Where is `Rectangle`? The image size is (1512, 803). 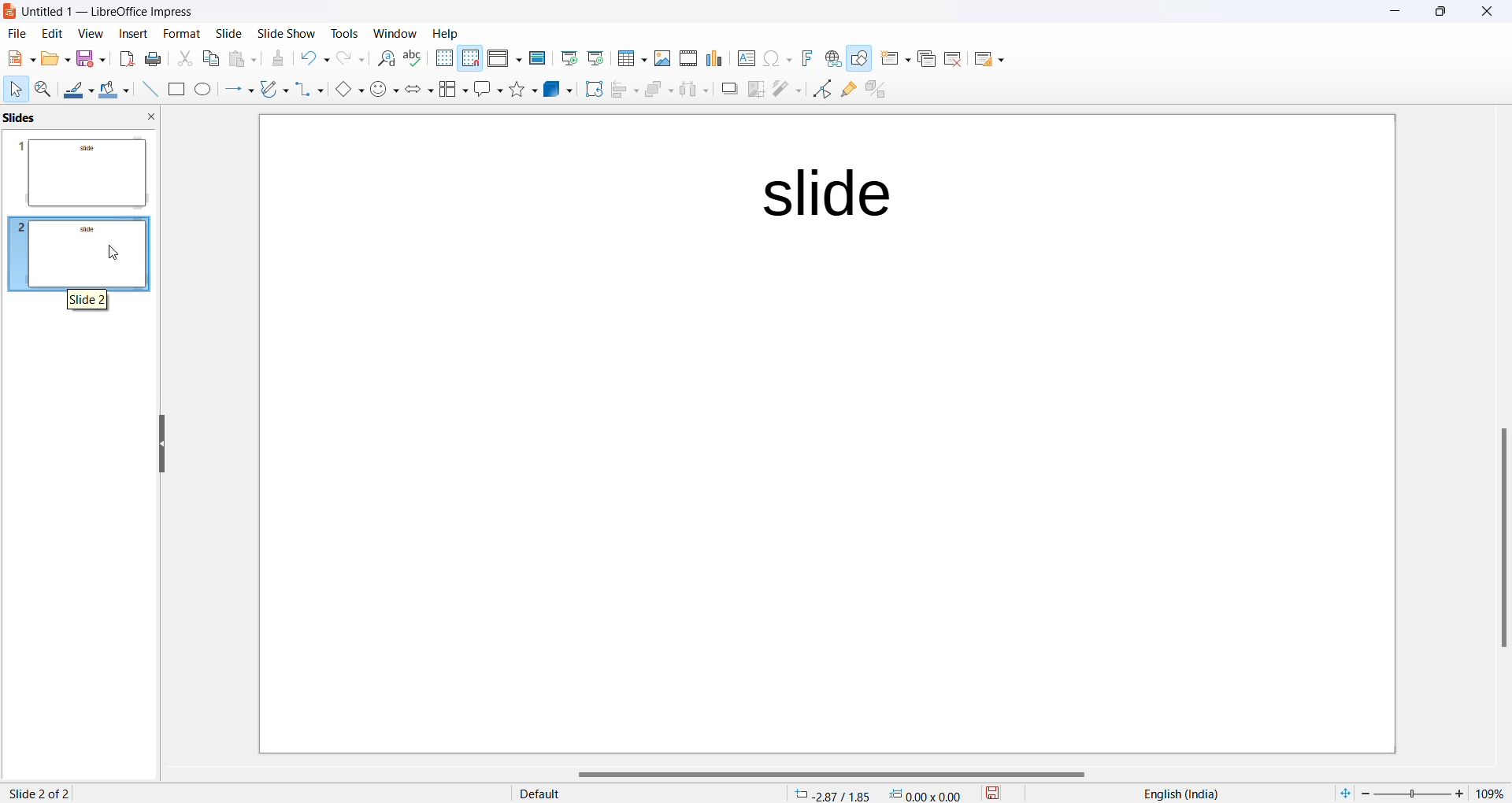
Rectangle is located at coordinates (174, 89).